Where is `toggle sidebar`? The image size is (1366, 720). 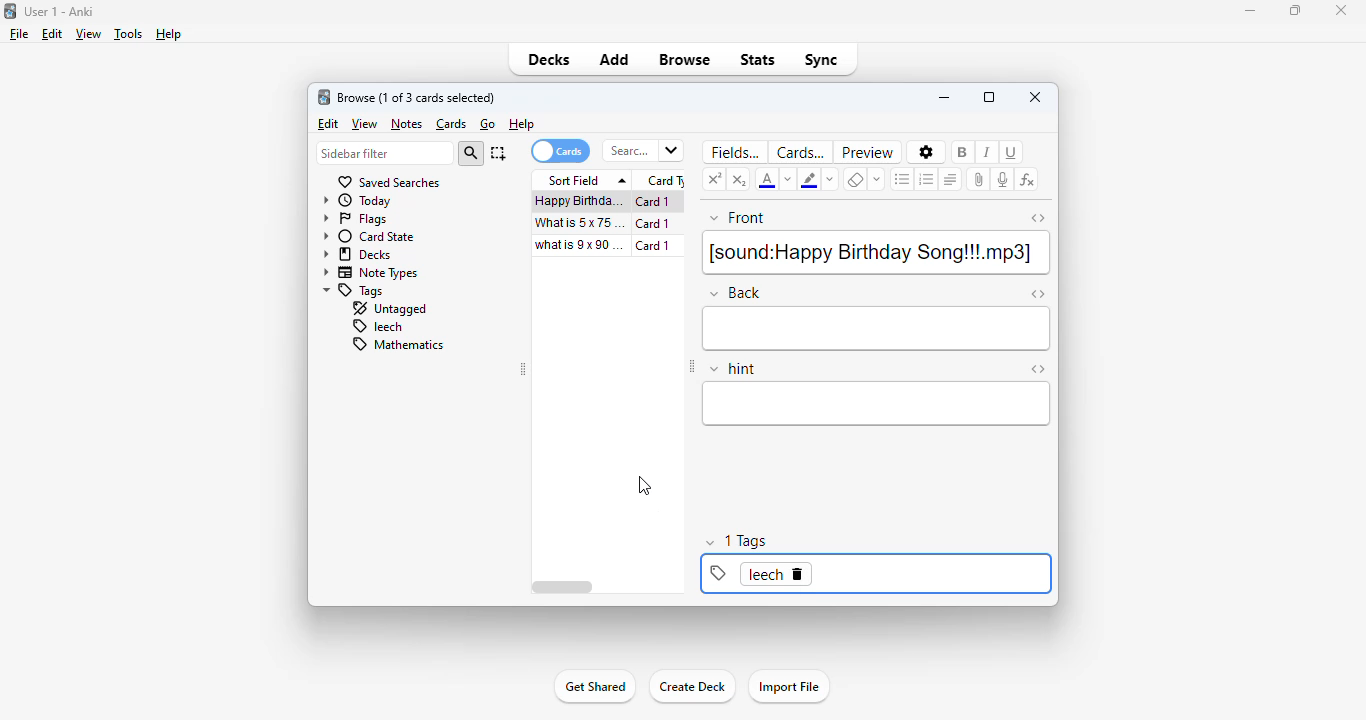
toggle sidebar is located at coordinates (692, 368).